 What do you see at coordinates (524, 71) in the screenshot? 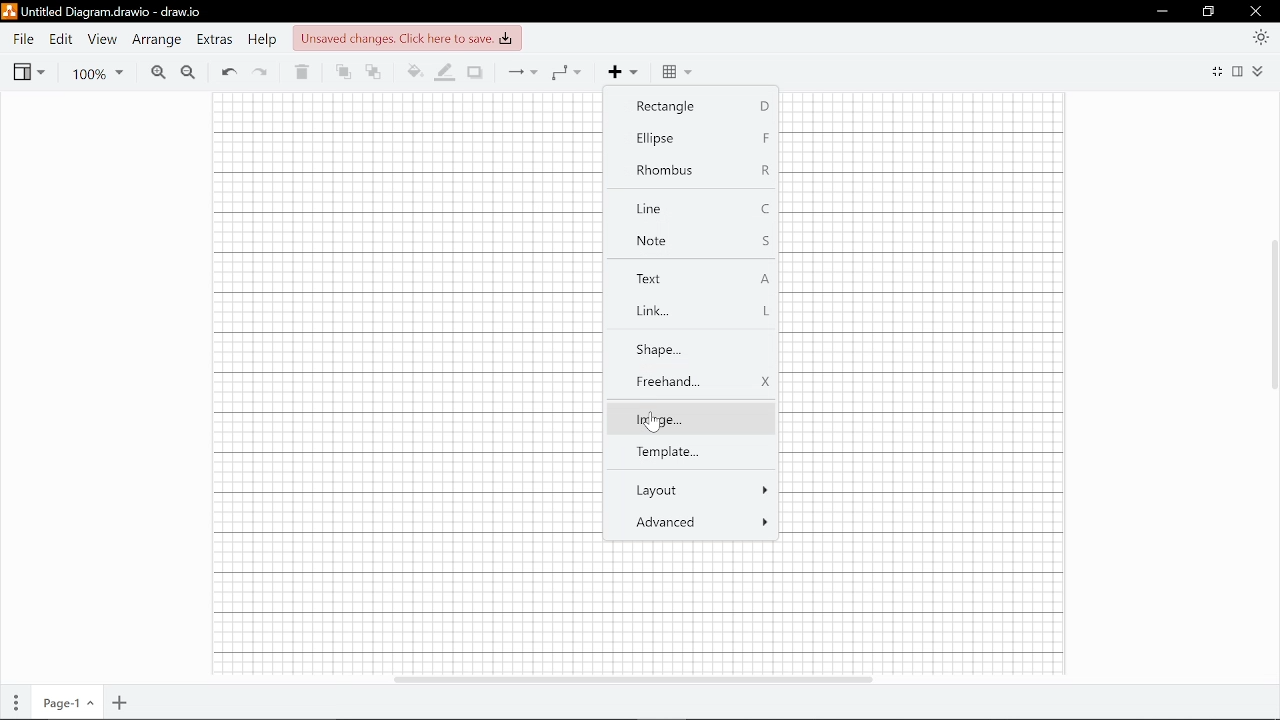
I see `Connection` at bounding box center [524, 71].